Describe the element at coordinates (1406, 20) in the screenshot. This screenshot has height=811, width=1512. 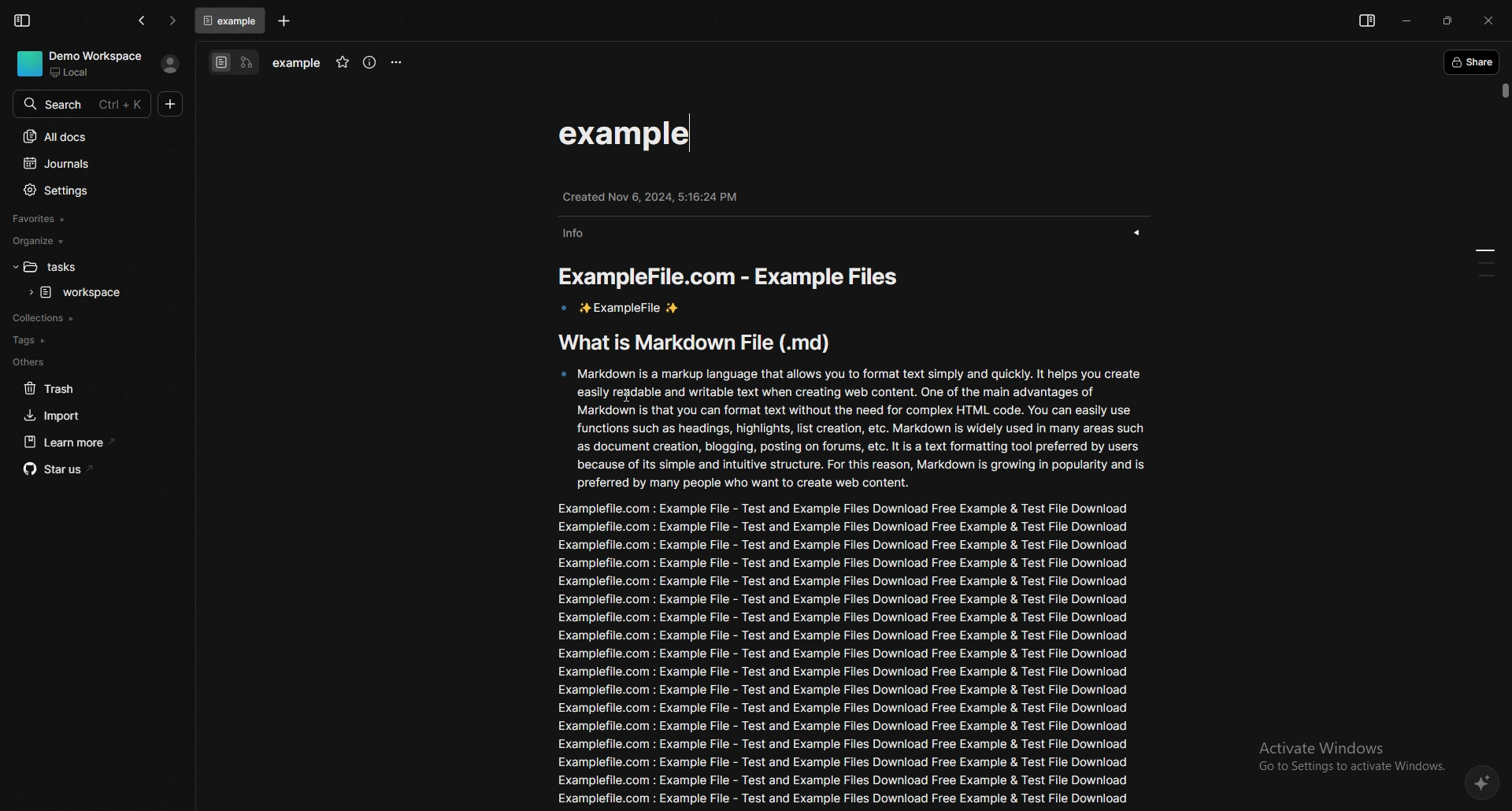
I see `minimize` at that location.